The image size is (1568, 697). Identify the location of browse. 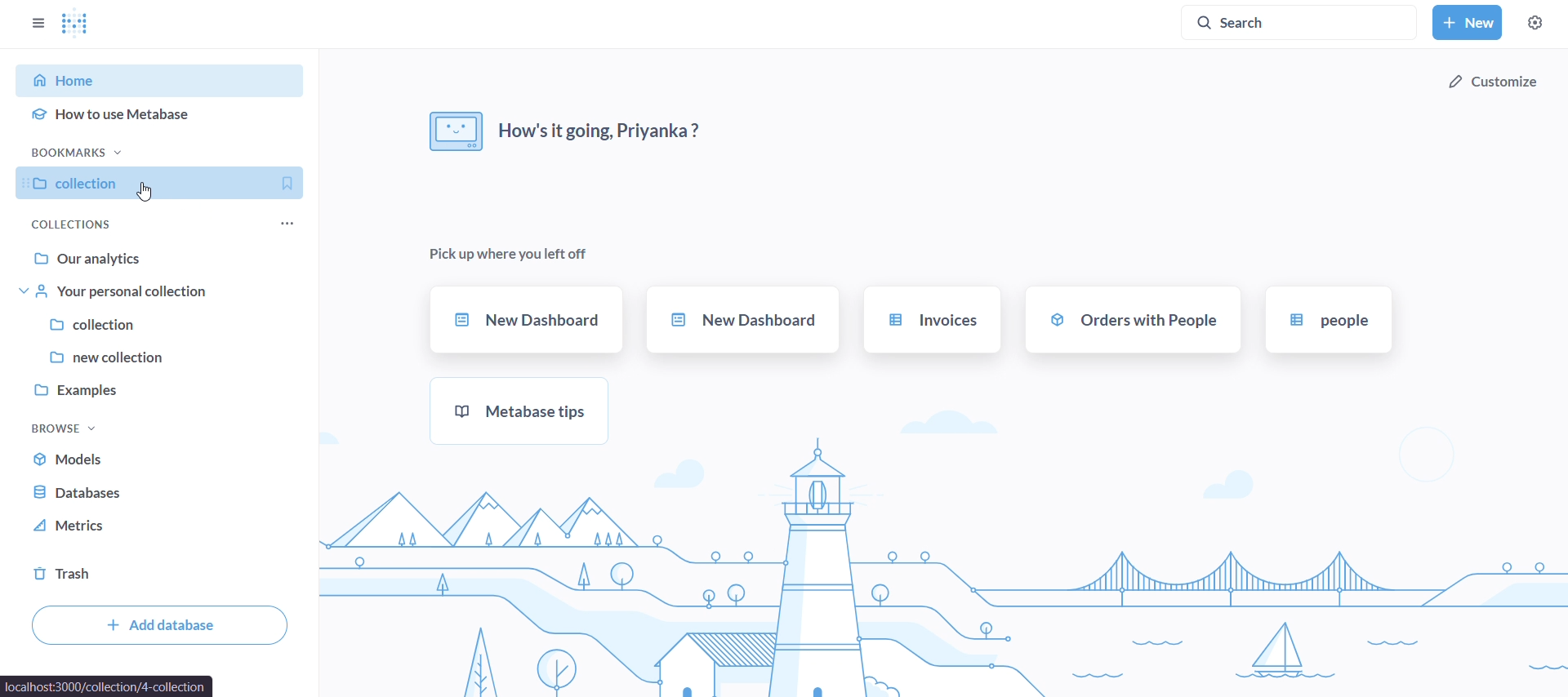
(75, 428).